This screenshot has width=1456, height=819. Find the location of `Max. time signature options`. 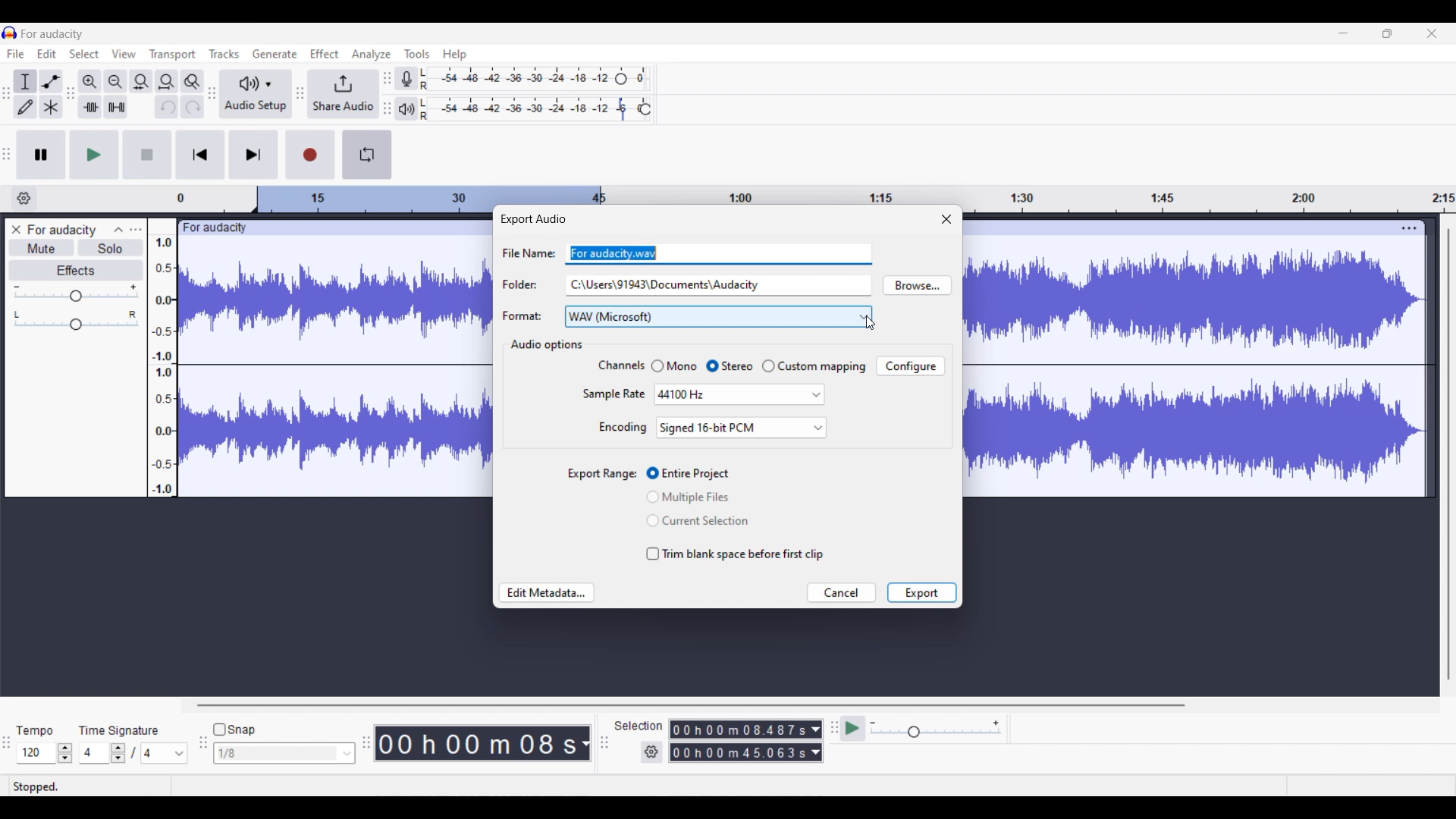

Max. time signature options is located at coordinates (165, 753).